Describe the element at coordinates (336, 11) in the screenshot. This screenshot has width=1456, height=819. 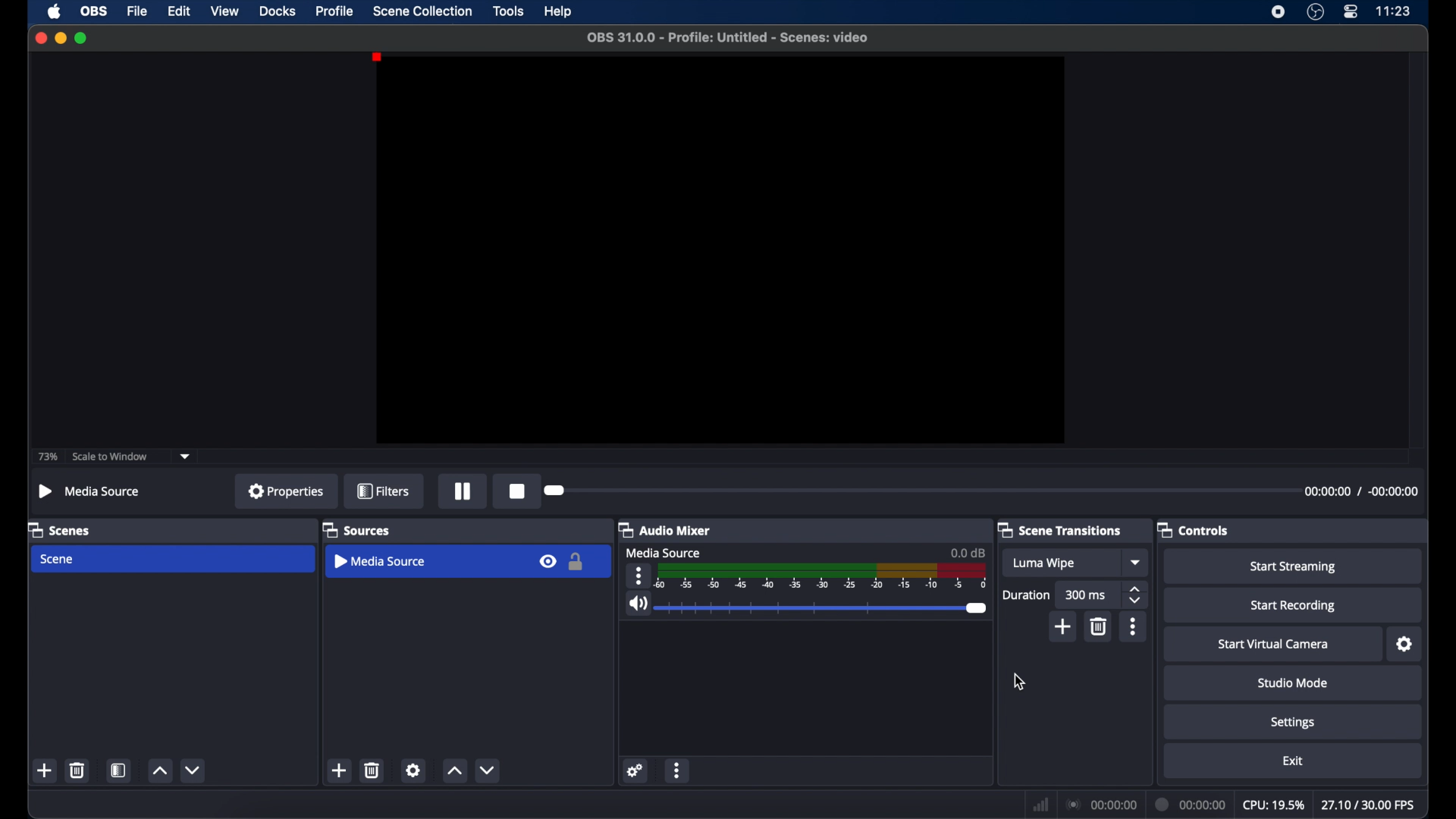
I see `profile` at that location.